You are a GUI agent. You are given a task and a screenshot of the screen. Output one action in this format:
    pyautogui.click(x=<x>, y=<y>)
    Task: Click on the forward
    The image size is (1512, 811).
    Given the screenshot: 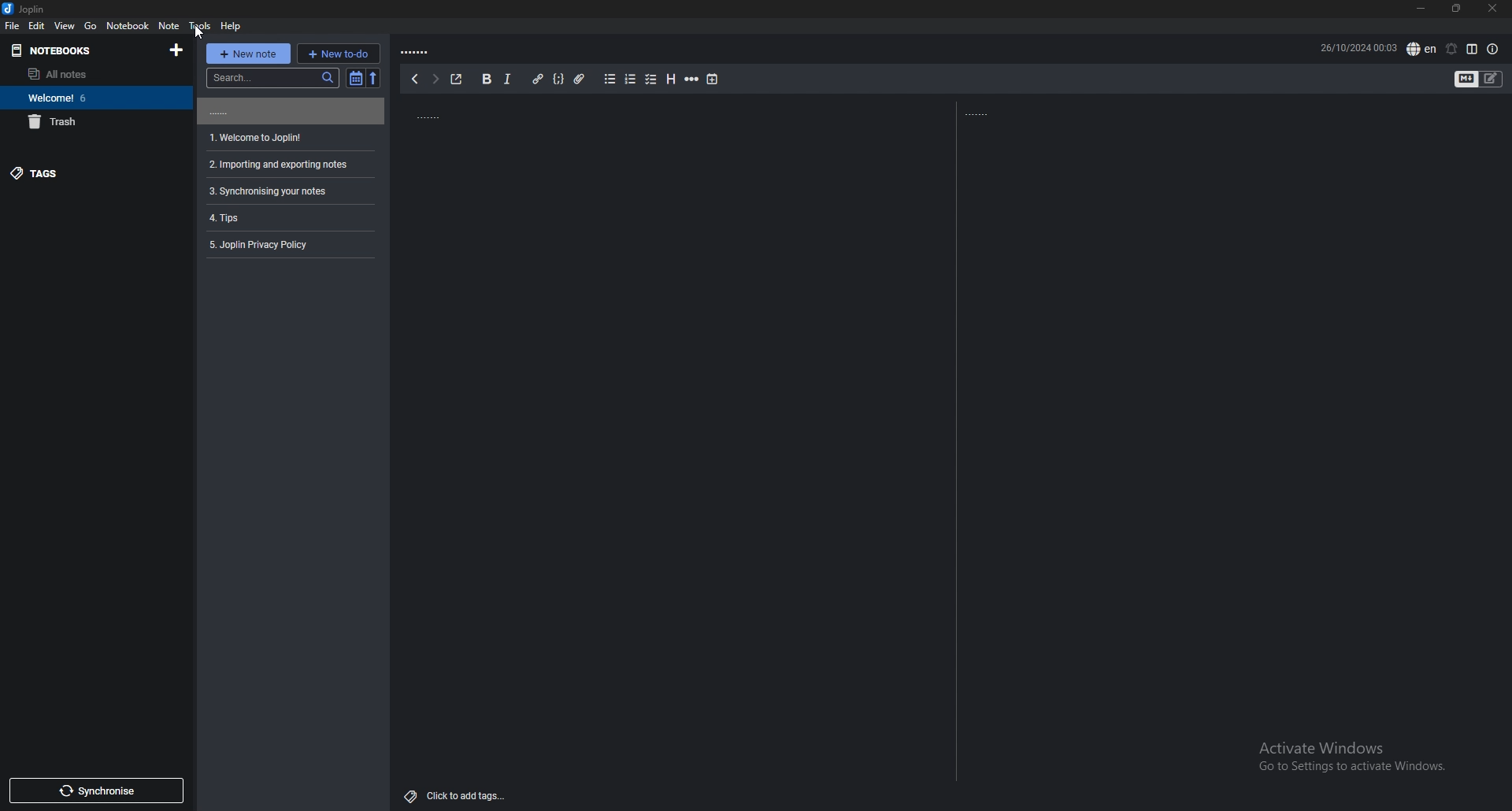 What is the action you would take?
    pyautogui.click(x=435, y=80)
    